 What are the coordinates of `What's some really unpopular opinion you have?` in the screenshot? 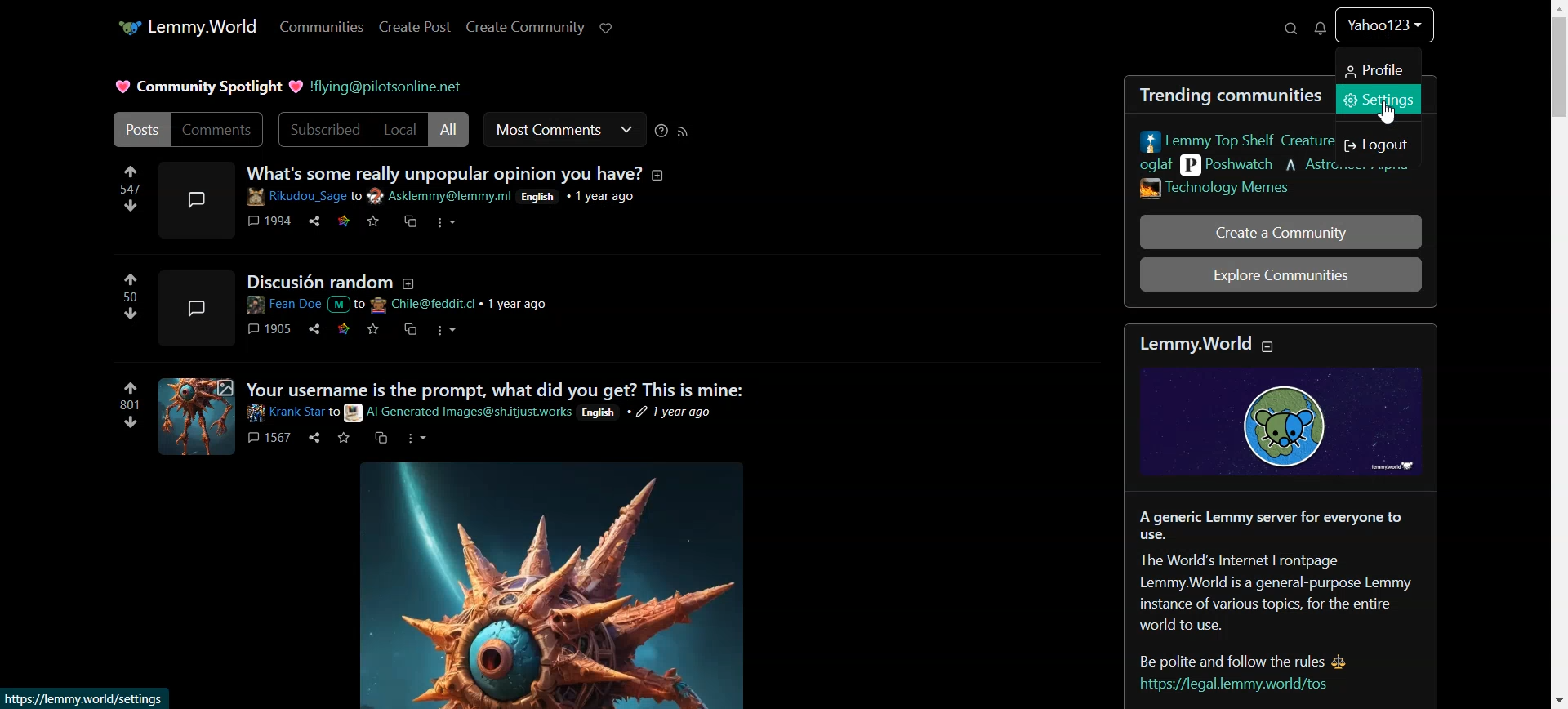 It's located at (390, 206).